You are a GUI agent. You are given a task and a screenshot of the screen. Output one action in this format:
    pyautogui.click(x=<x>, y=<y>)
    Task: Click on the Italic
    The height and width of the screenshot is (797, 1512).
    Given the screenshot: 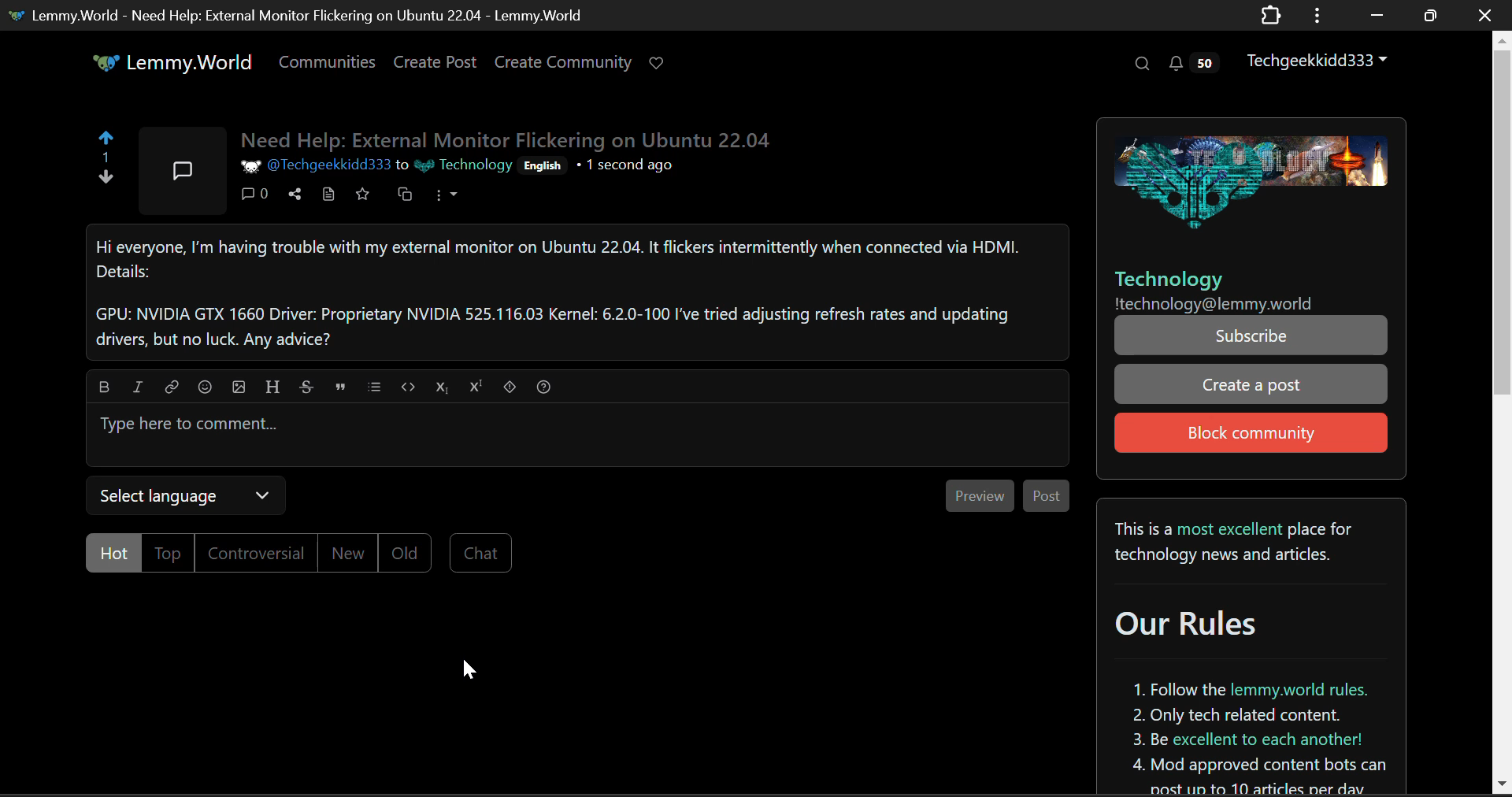 What is the action you would take?
    pyautogui.click(x=137, y=386)
    